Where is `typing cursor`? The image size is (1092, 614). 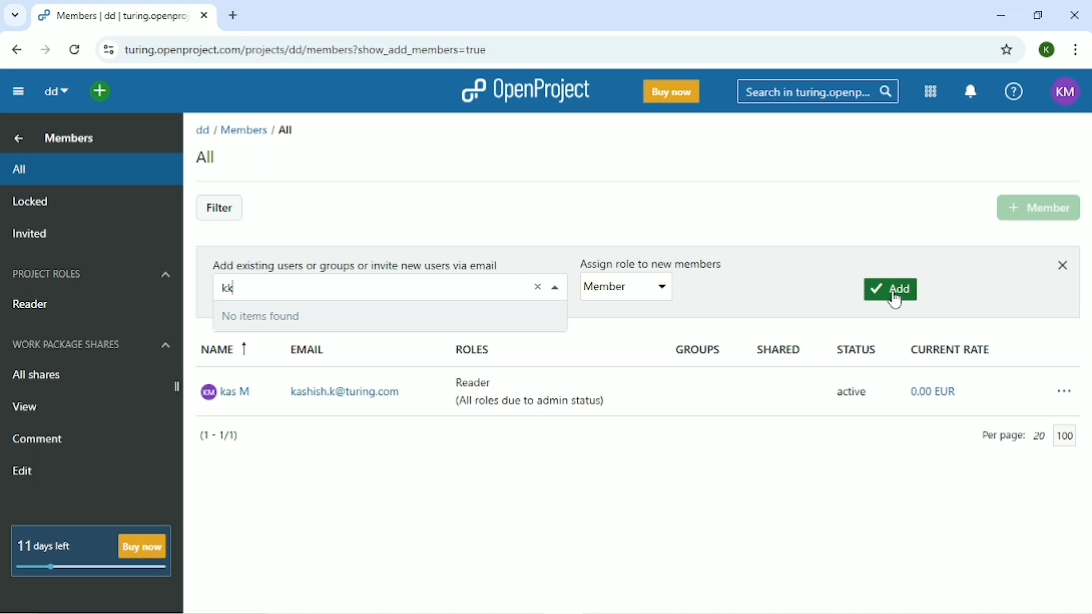
typing cursor is located at coordinates (233, 288).